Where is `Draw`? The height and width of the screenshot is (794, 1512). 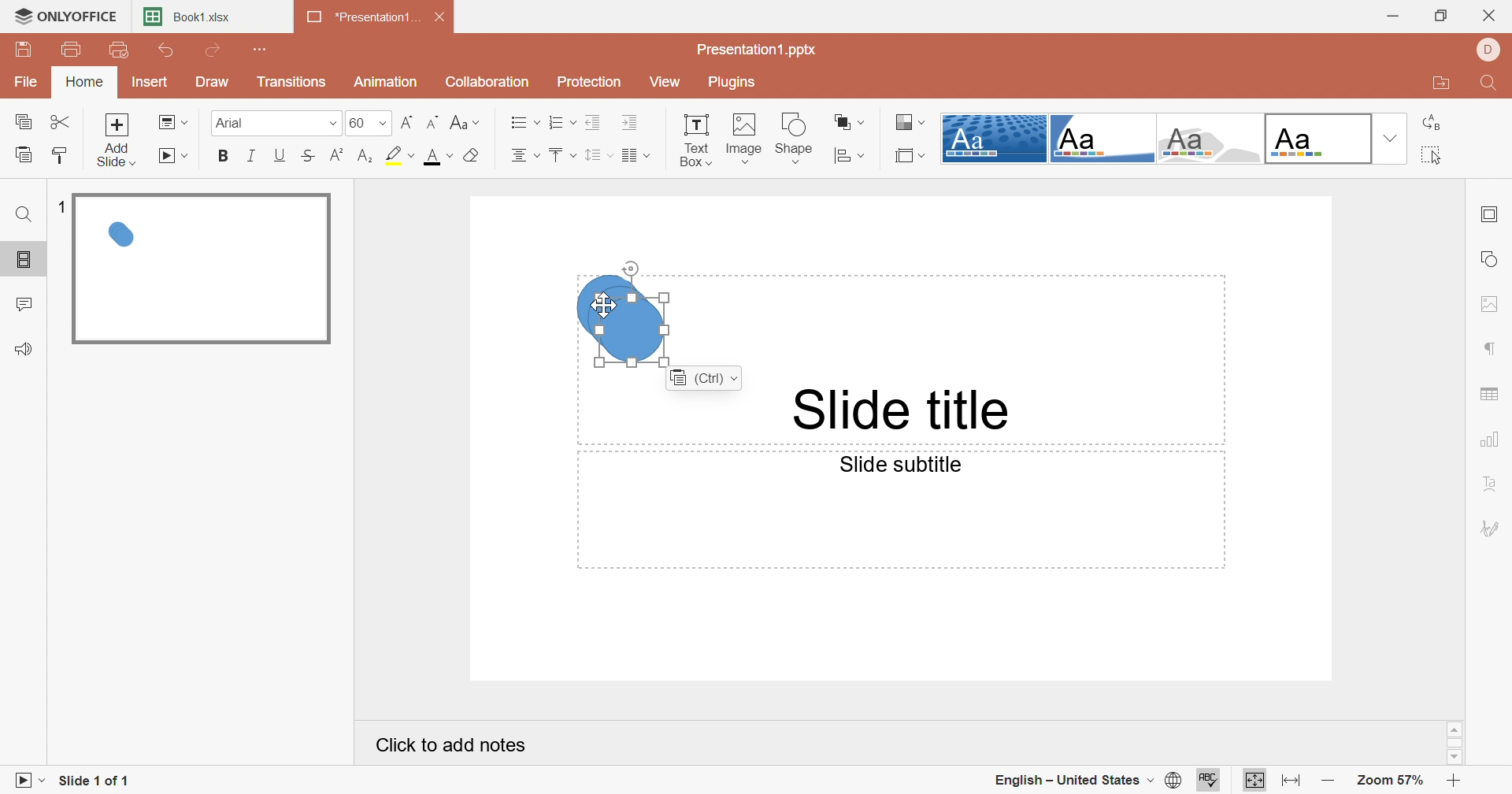
Draw is located at coordinates (215, 81).